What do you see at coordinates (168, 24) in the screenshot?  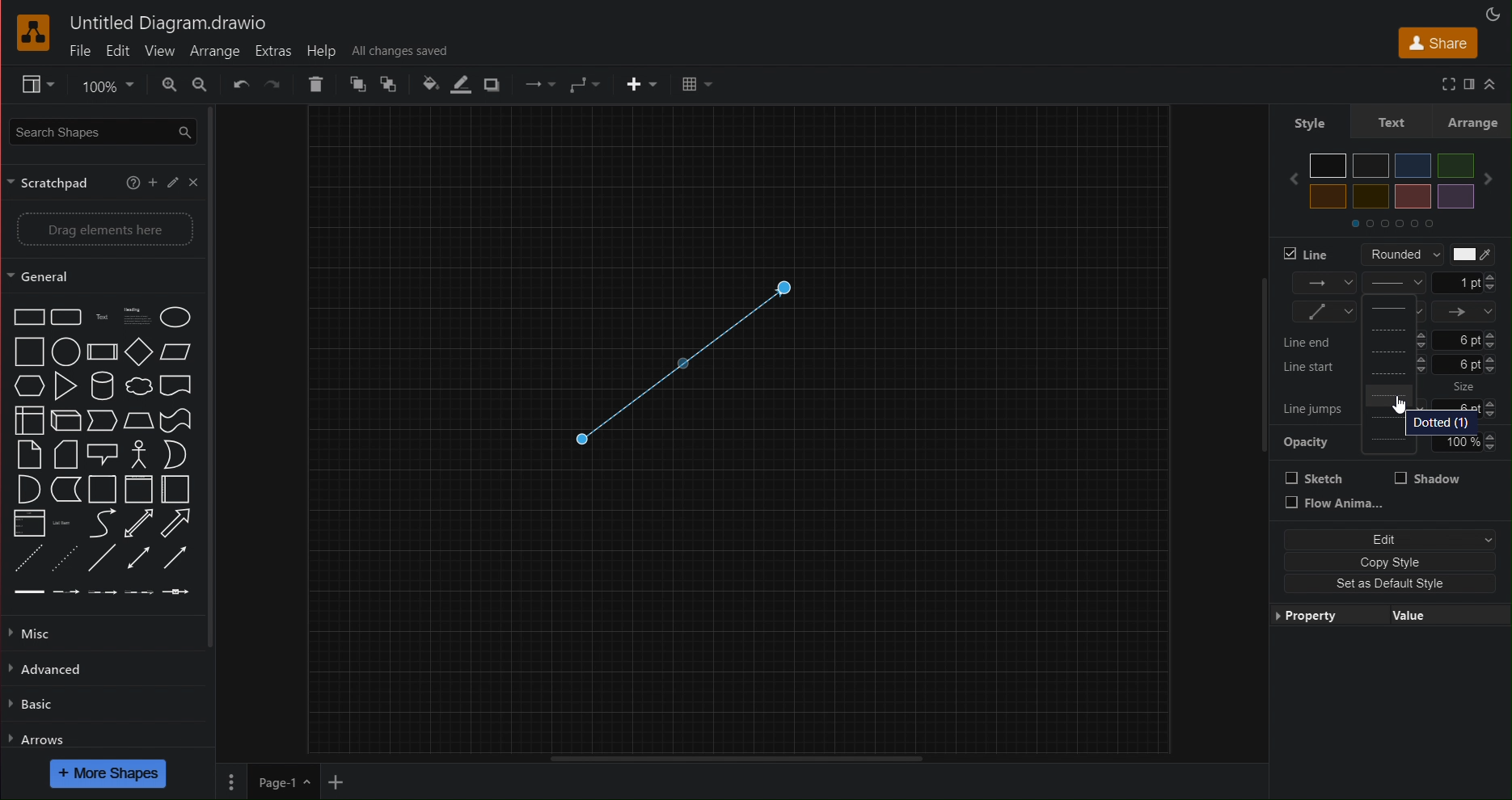 I see `Untitled Diagram.drawio` at bounding box center [168, 24].